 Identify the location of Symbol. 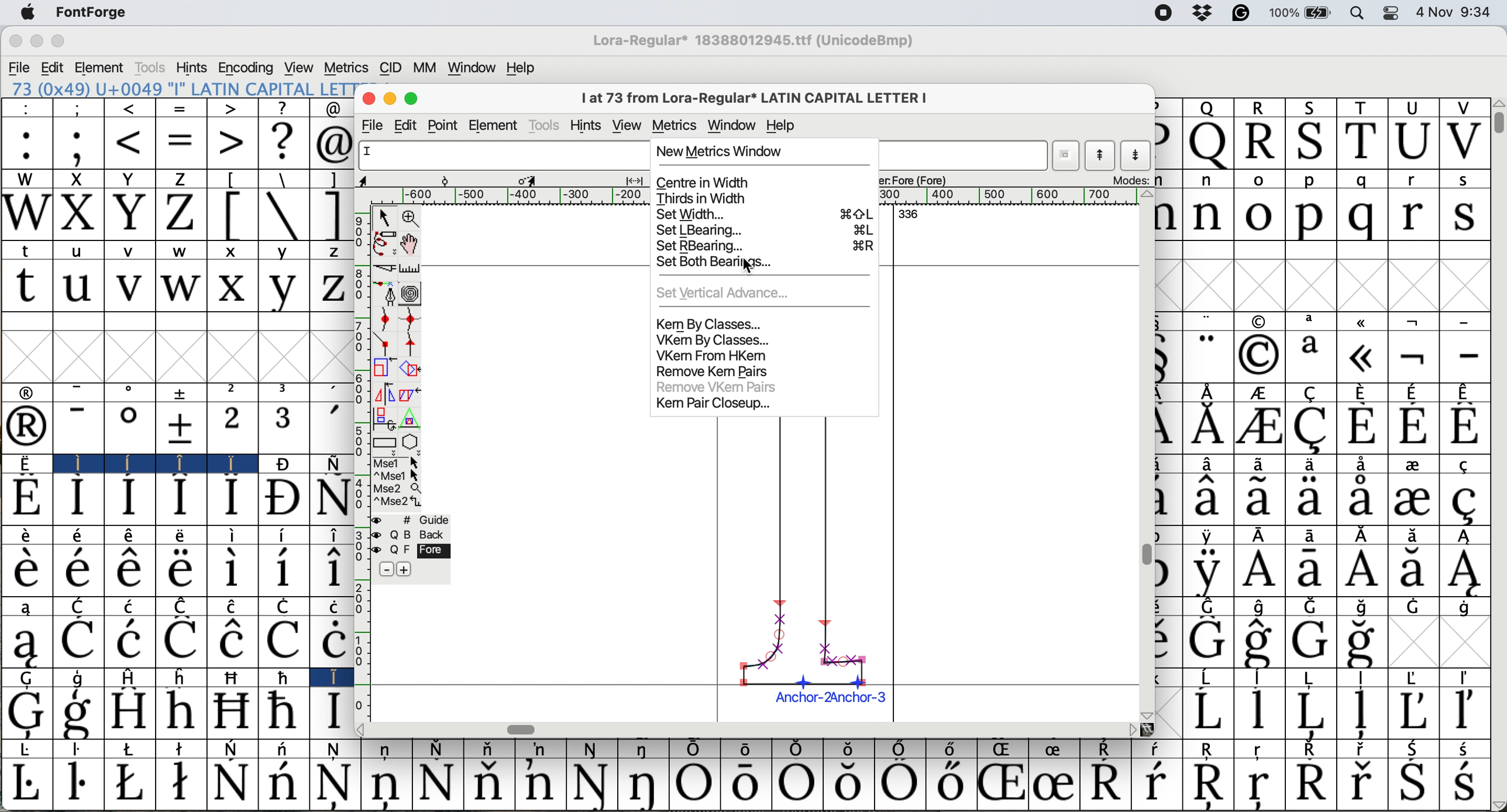
(131, 536).